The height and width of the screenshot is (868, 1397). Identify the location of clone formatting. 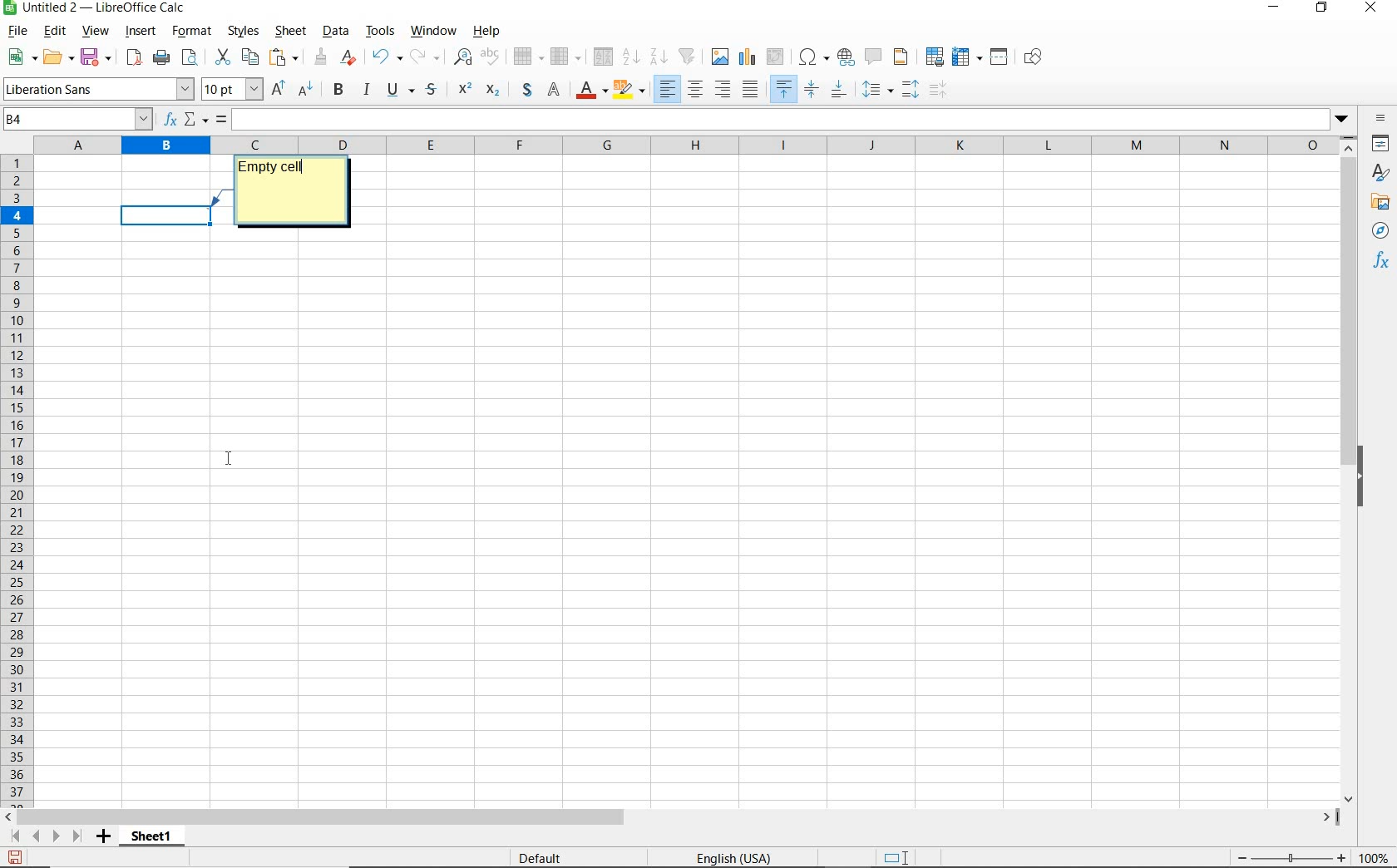
(323, 57).